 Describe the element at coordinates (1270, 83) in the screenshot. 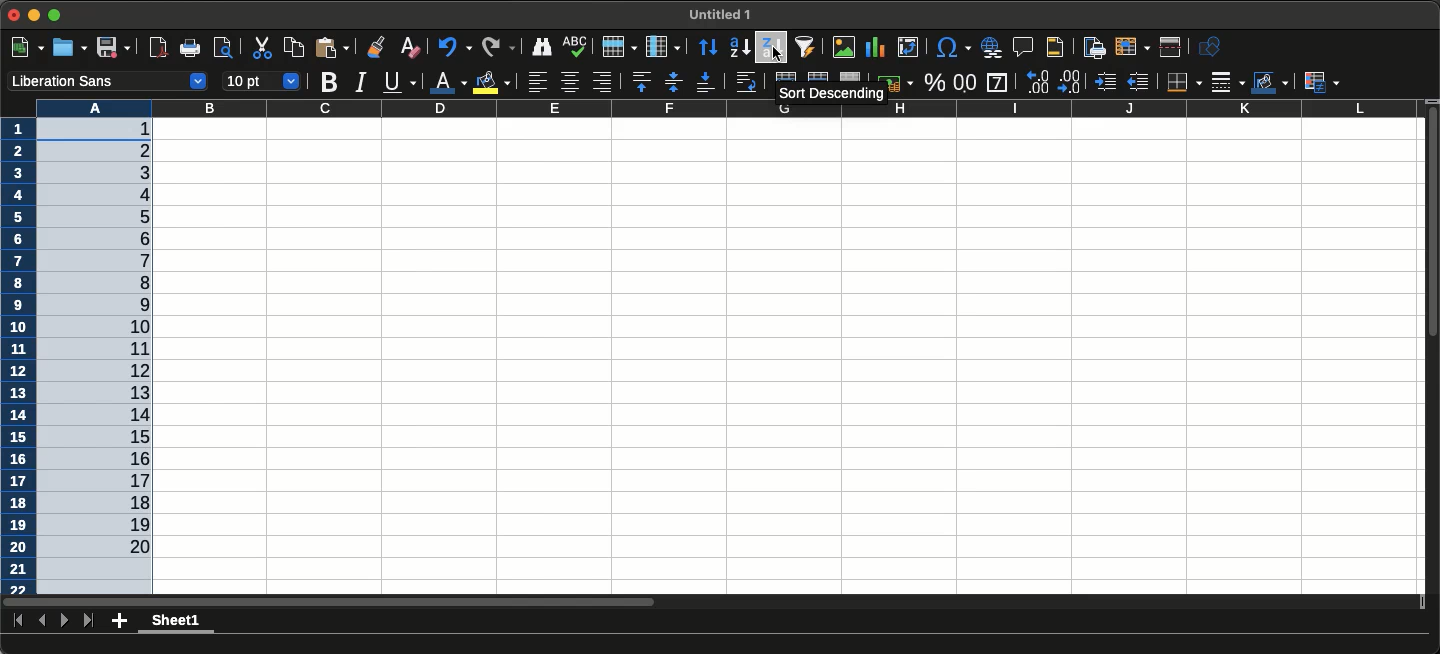

I see `Border color` at that location.